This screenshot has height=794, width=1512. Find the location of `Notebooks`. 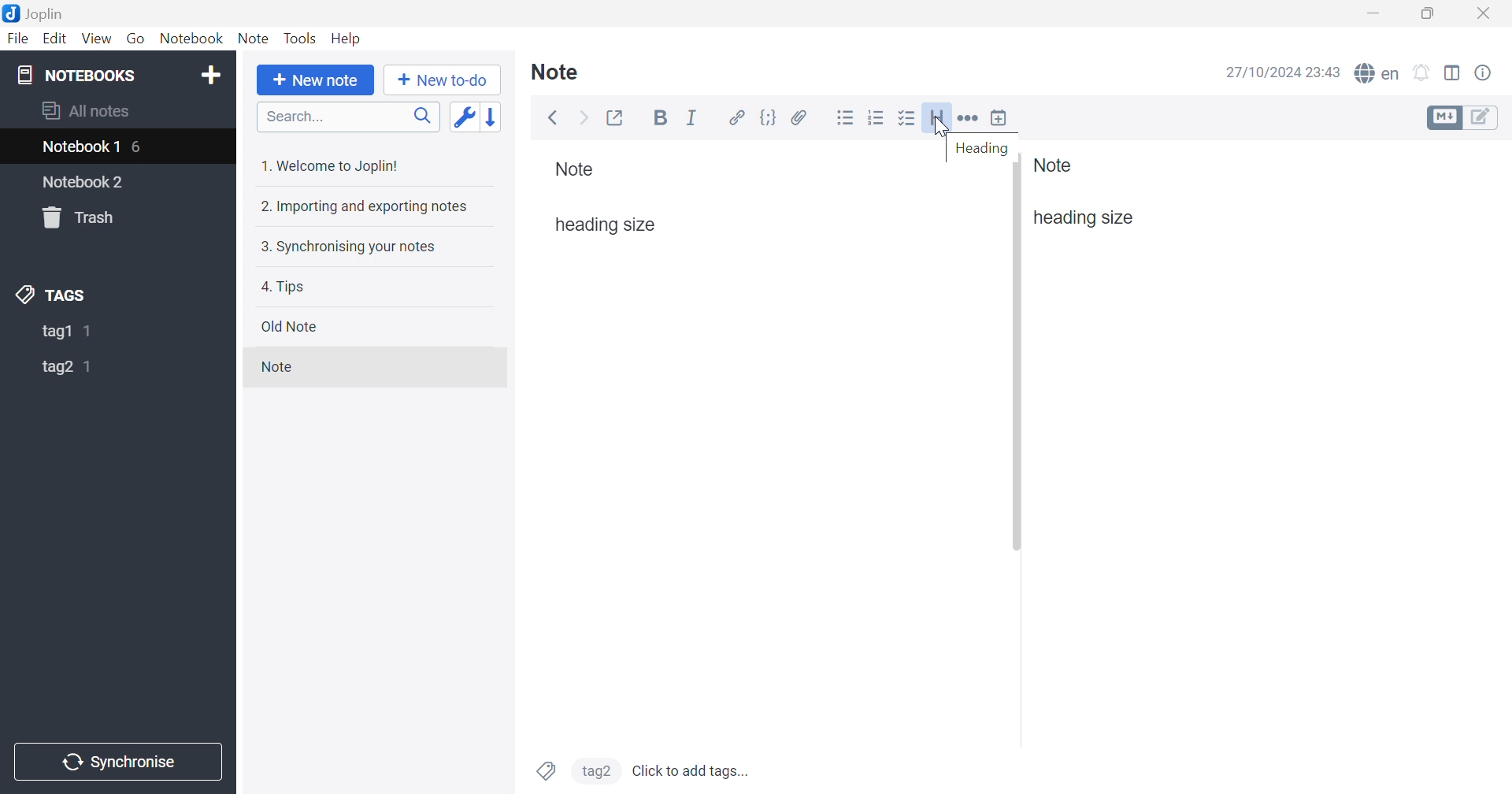

Notebooks is located at coordinates (78, 75).